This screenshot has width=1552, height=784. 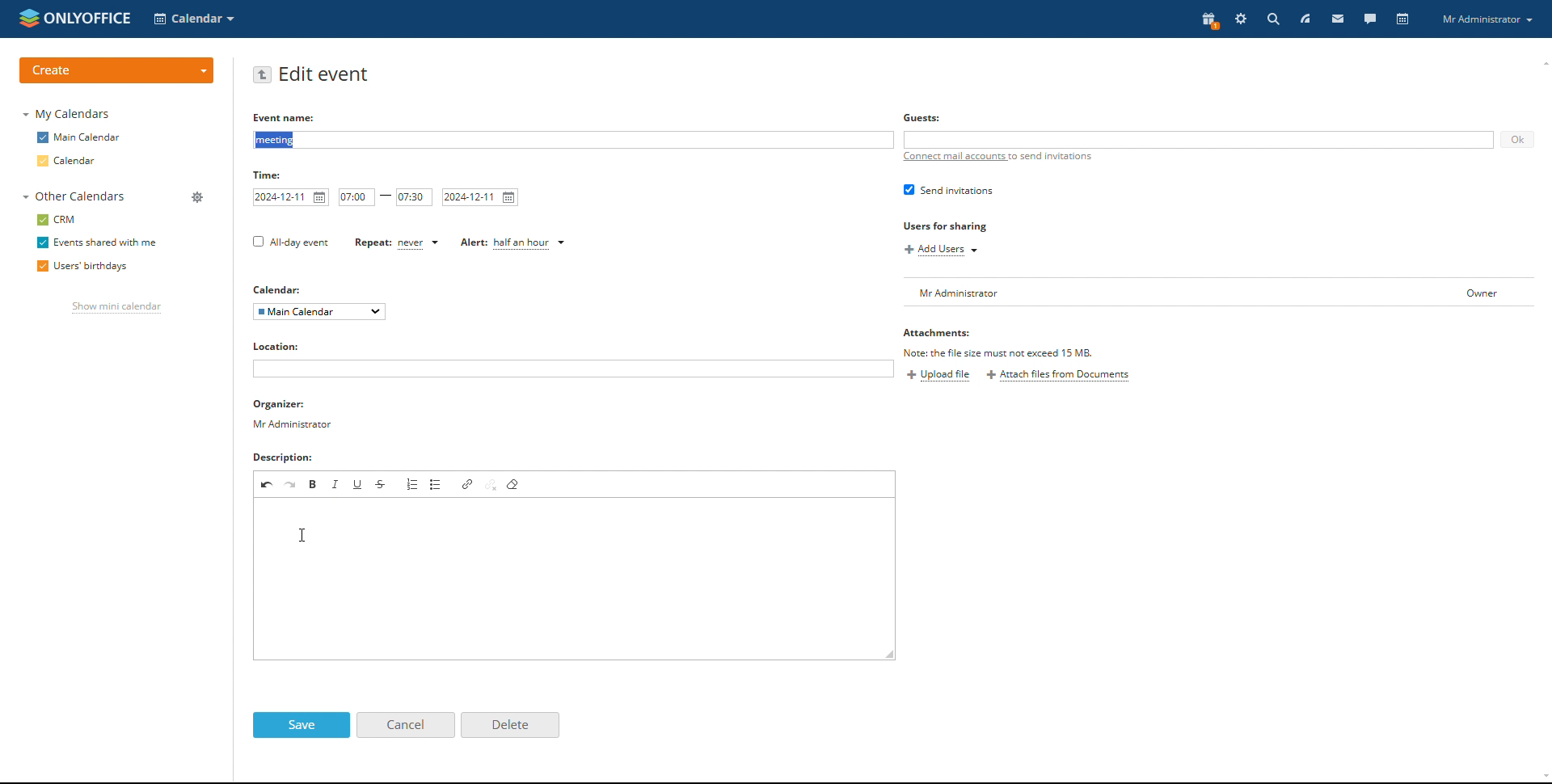 I want to click on Location:, so click(x=278, y=348).